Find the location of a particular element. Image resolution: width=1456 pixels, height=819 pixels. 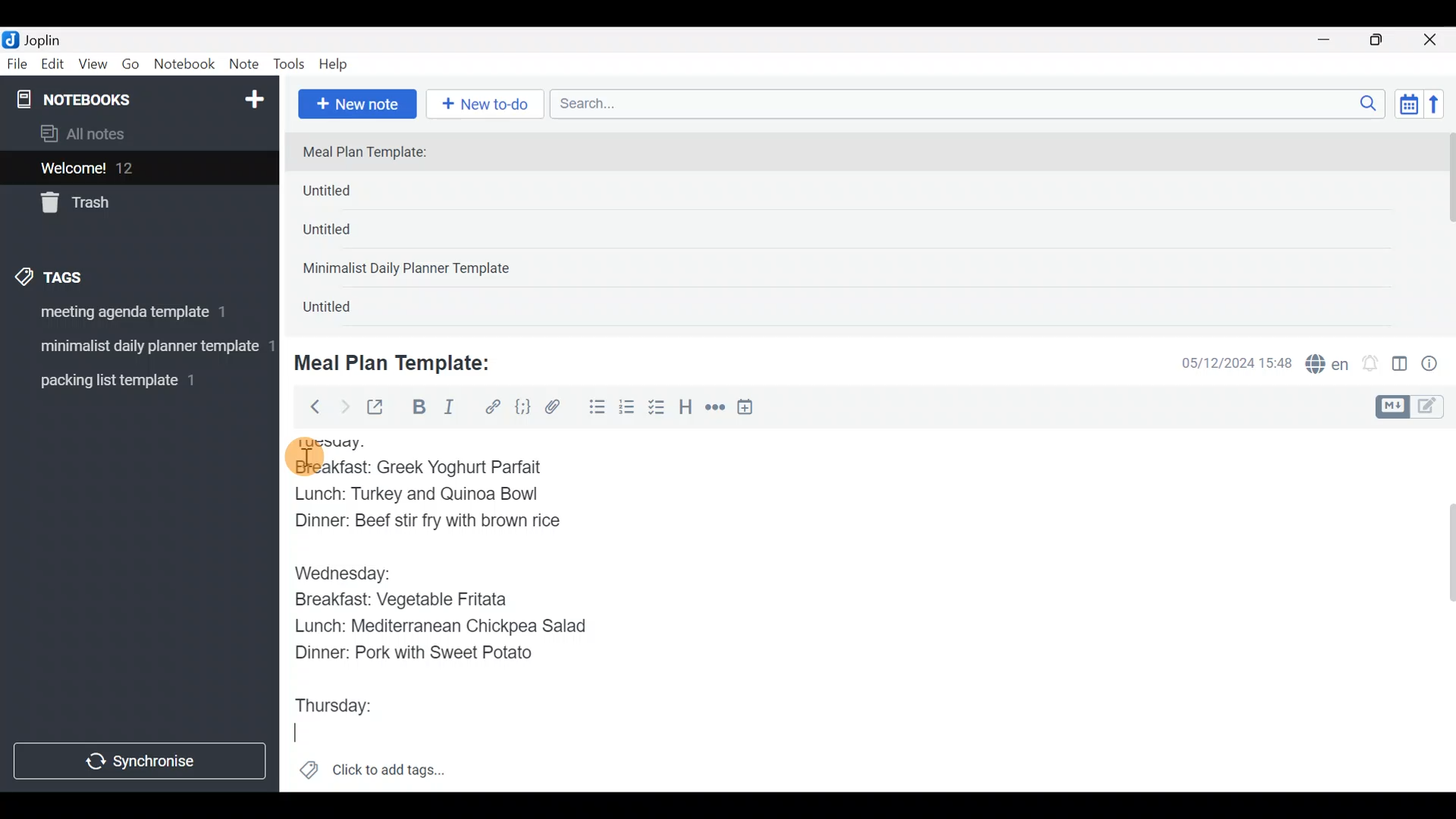

Attach file is located at coordinates (557, 409).